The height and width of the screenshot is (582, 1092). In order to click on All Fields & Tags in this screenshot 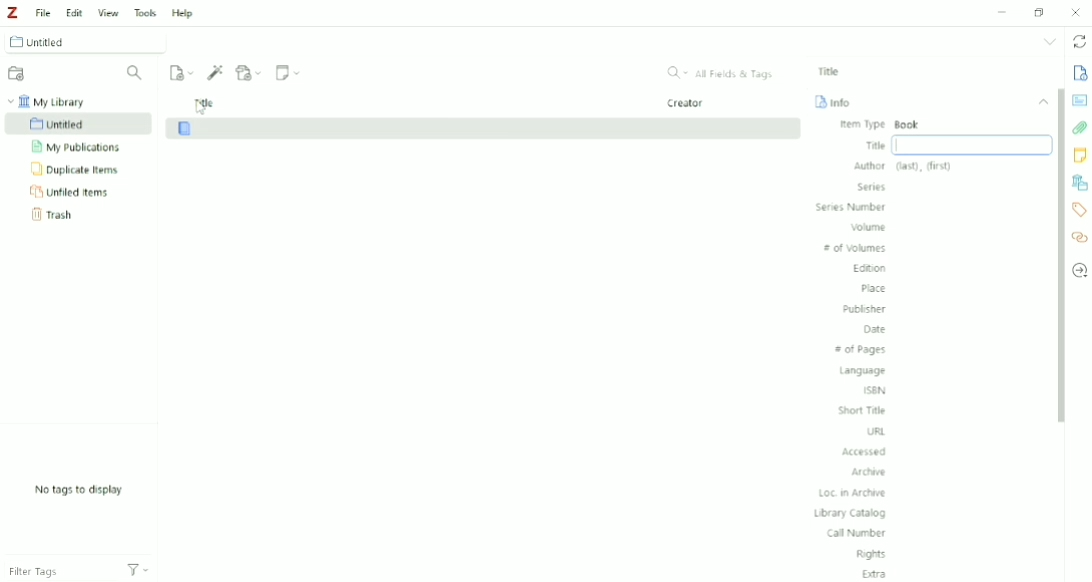, I will do `click(722, 73)`.